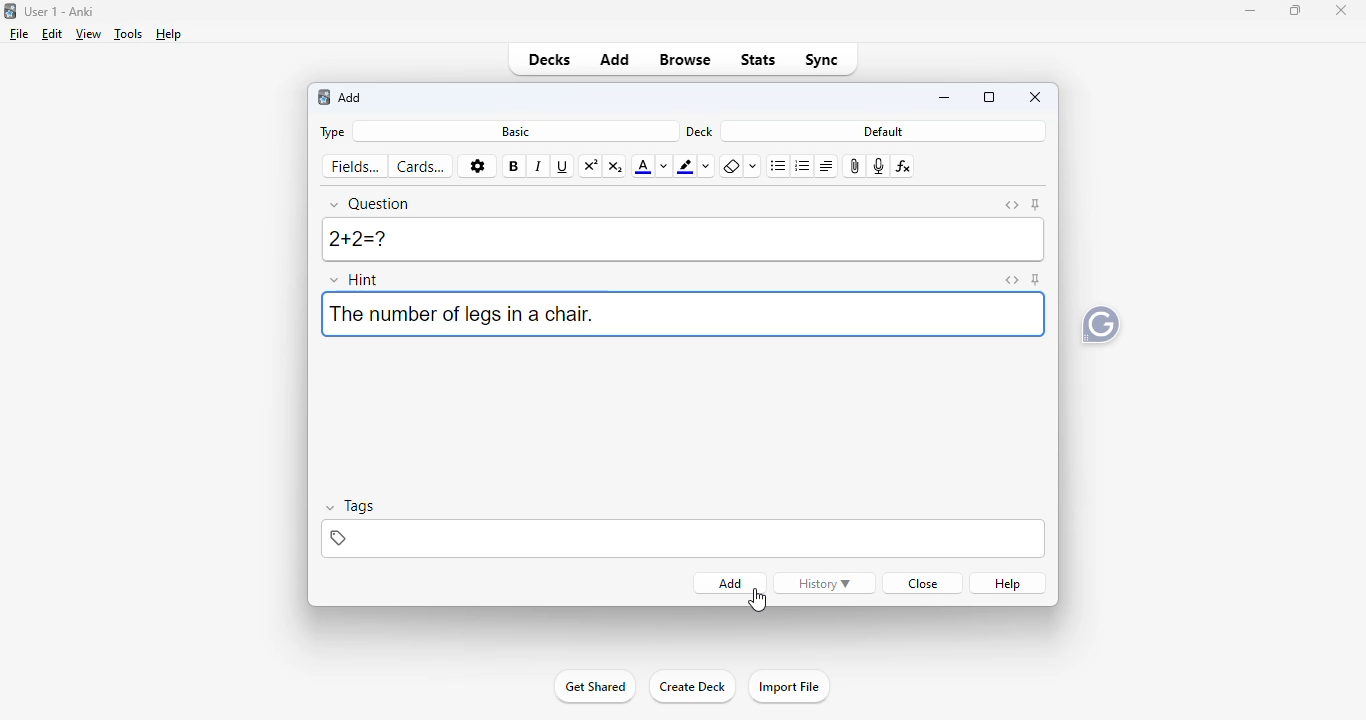  I want to click on logo, so click(323, 97).